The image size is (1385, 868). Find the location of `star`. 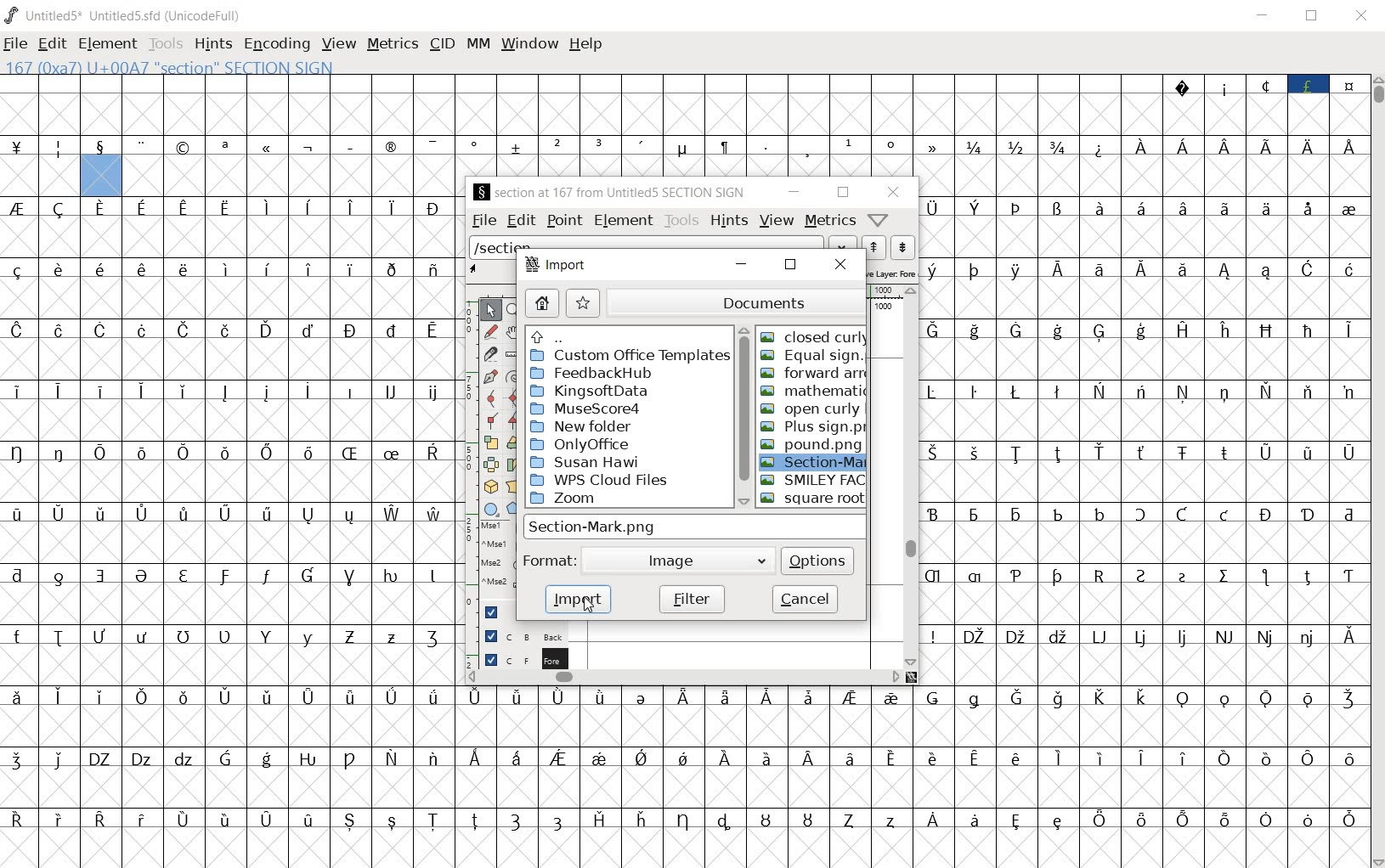

star is located at coordinates (582, 303).